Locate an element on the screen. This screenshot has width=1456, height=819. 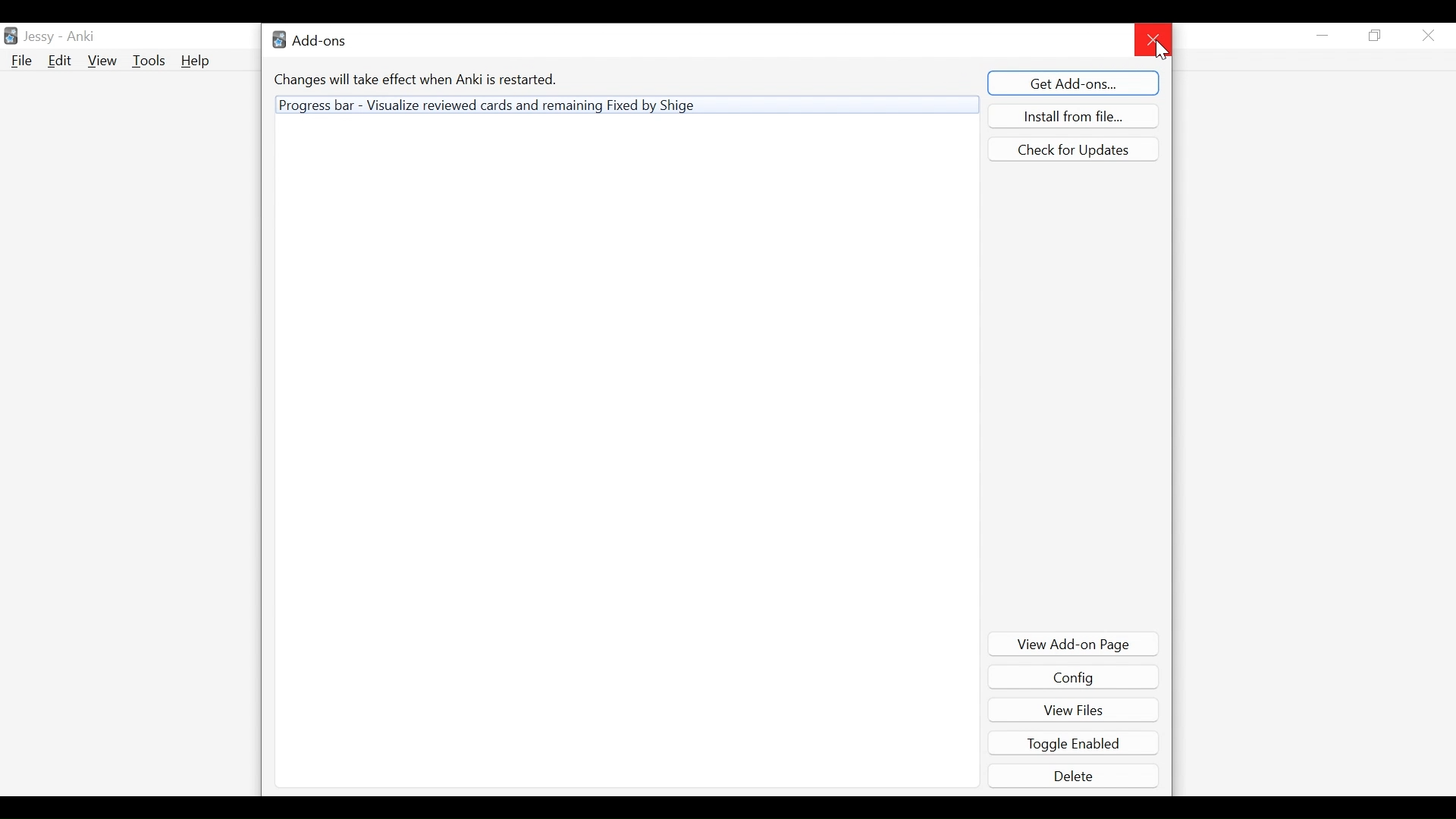
View Add-on Page is located at coordinates (1075, 644).